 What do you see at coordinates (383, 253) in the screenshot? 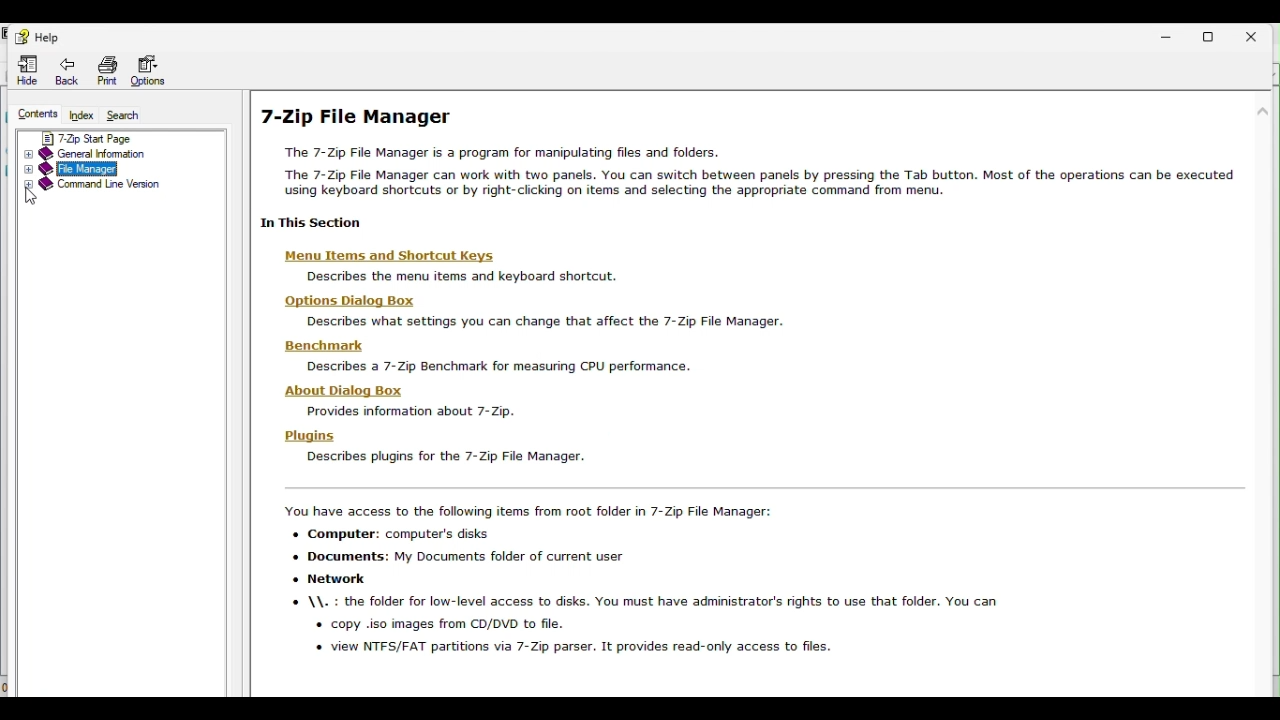
I see `menu items and shortcut` at bounding box center [383, 253].